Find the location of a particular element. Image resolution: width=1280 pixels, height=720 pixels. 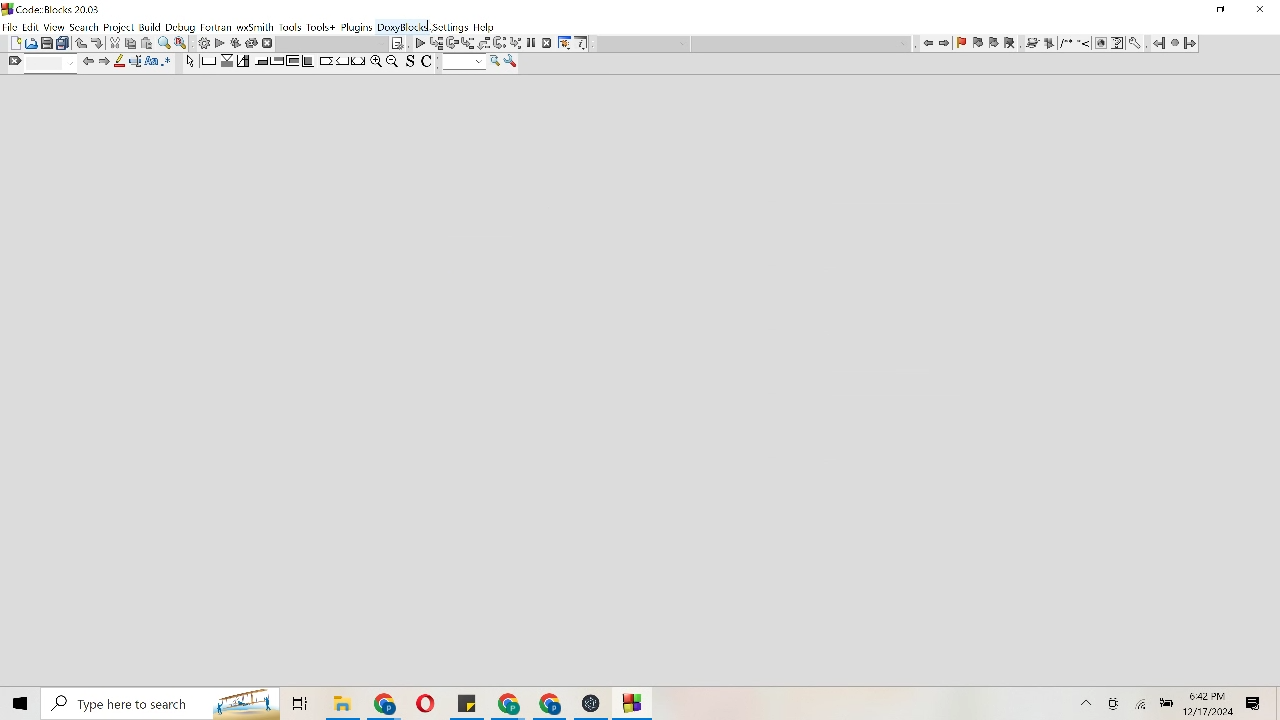

View is located at coordinates (54, 27).